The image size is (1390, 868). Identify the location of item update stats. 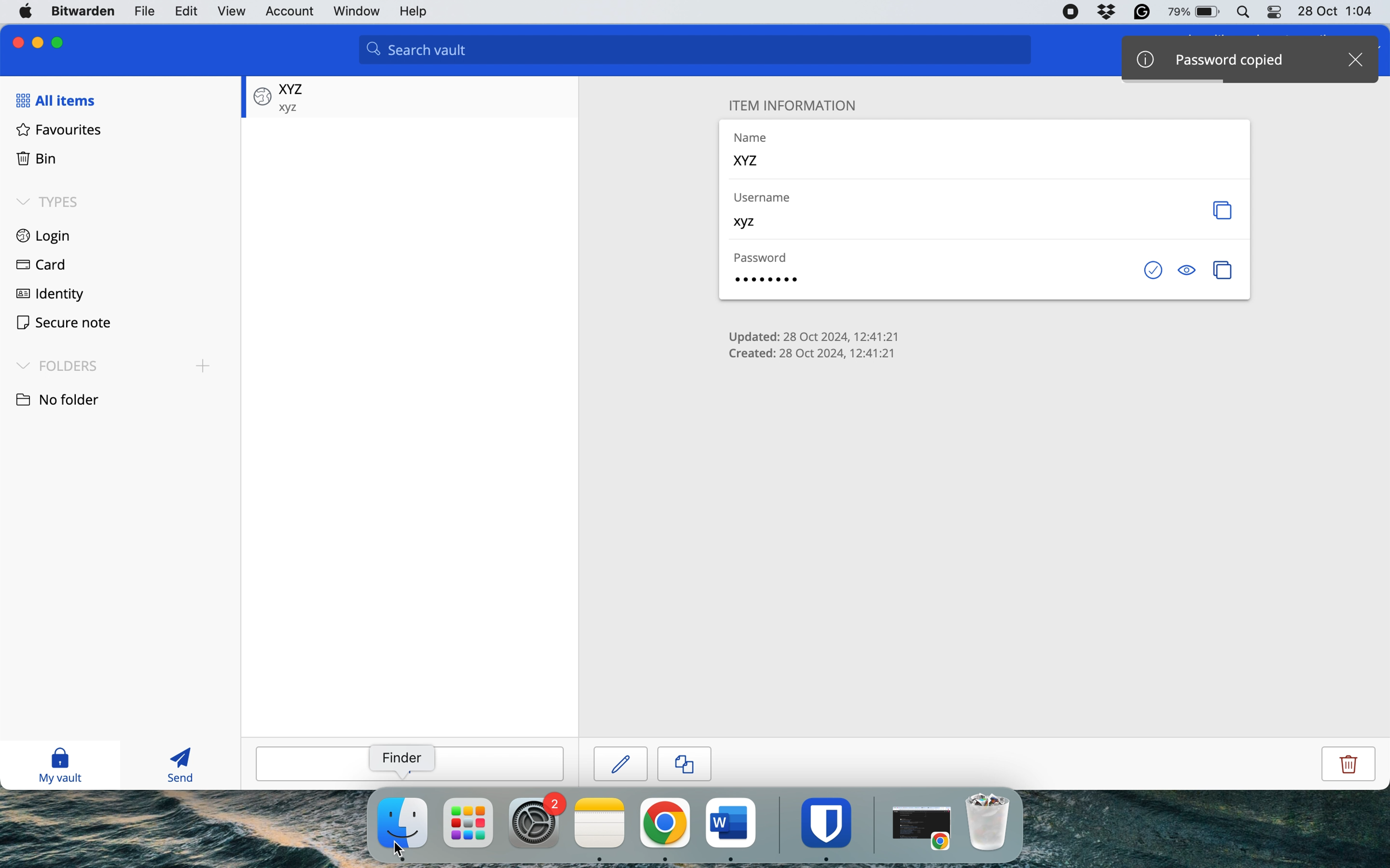
(814, 334).